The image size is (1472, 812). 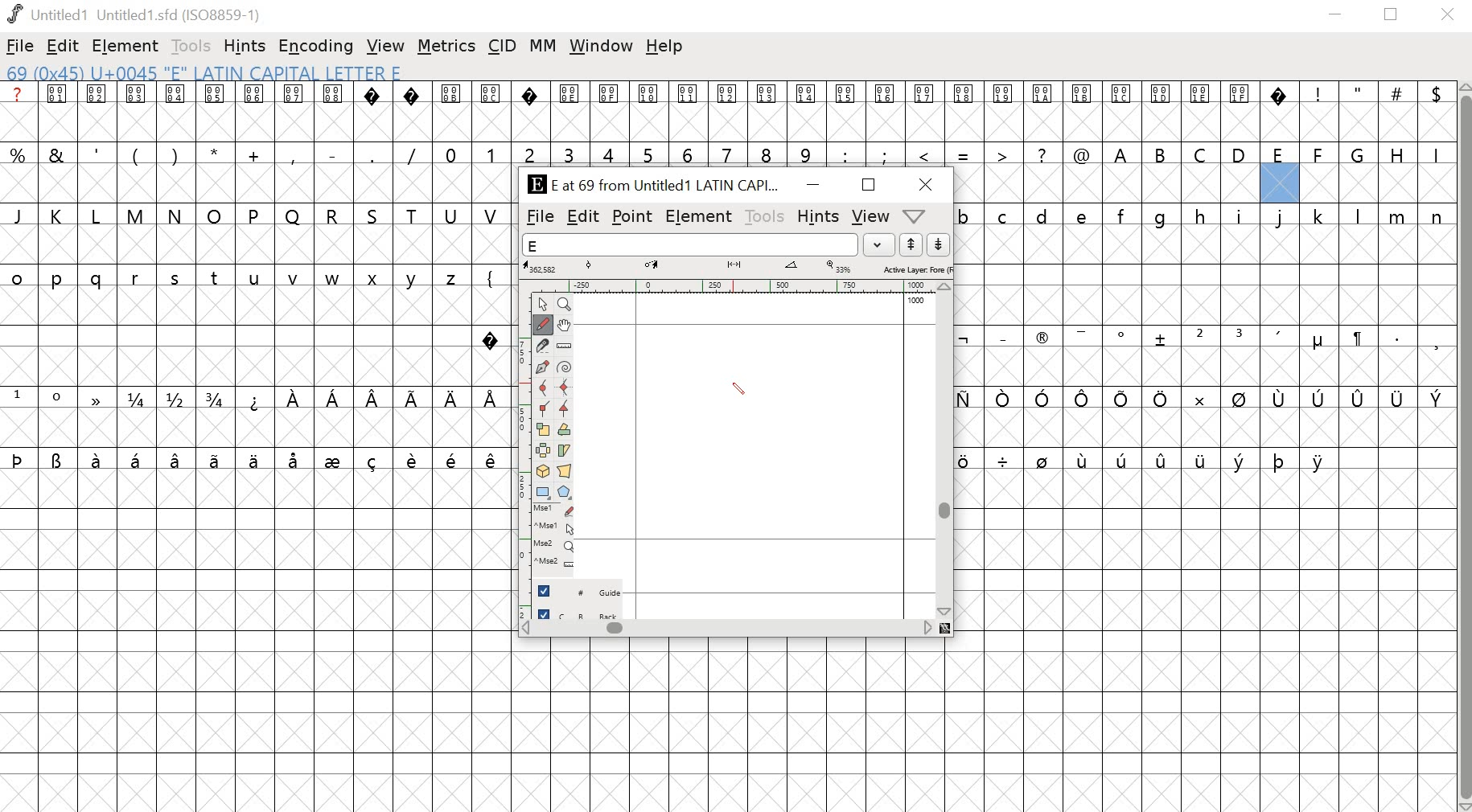 I want to click on dropdown menu, so click(x=921, y=215).